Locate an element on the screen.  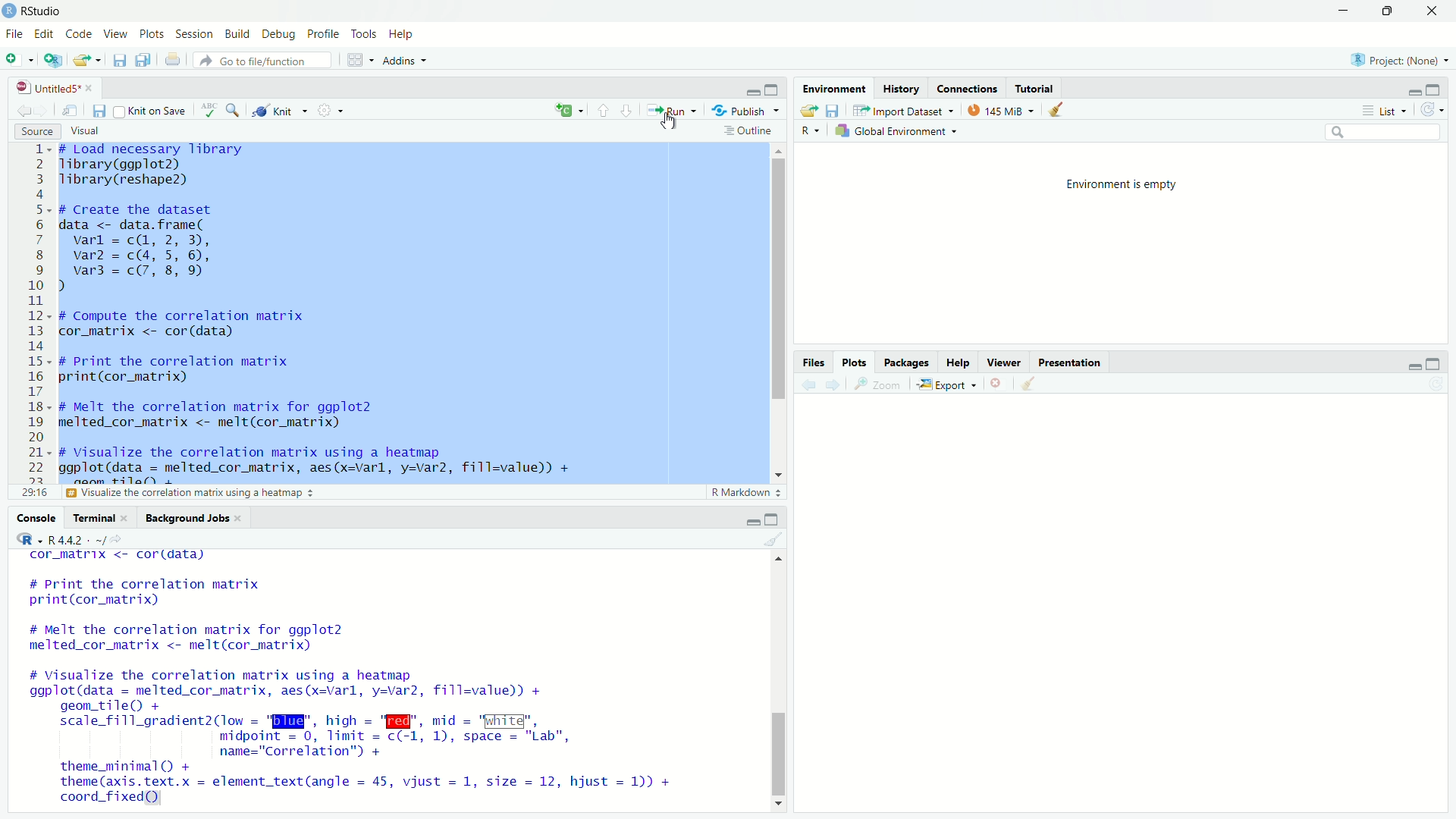
help is located at coordinates (403, 35).